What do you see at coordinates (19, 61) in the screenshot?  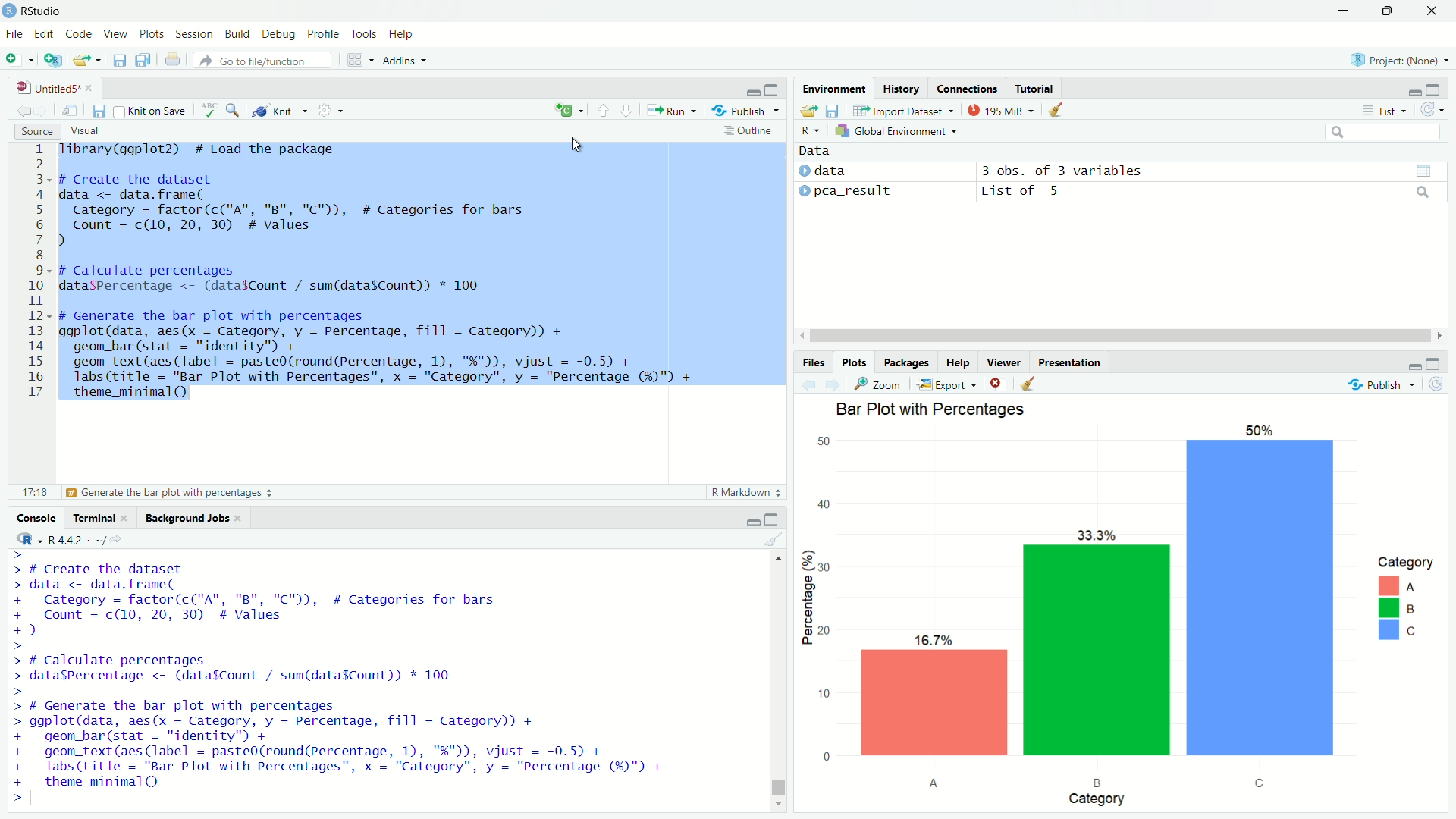 I see `new file` at bounding box center [19, 61].